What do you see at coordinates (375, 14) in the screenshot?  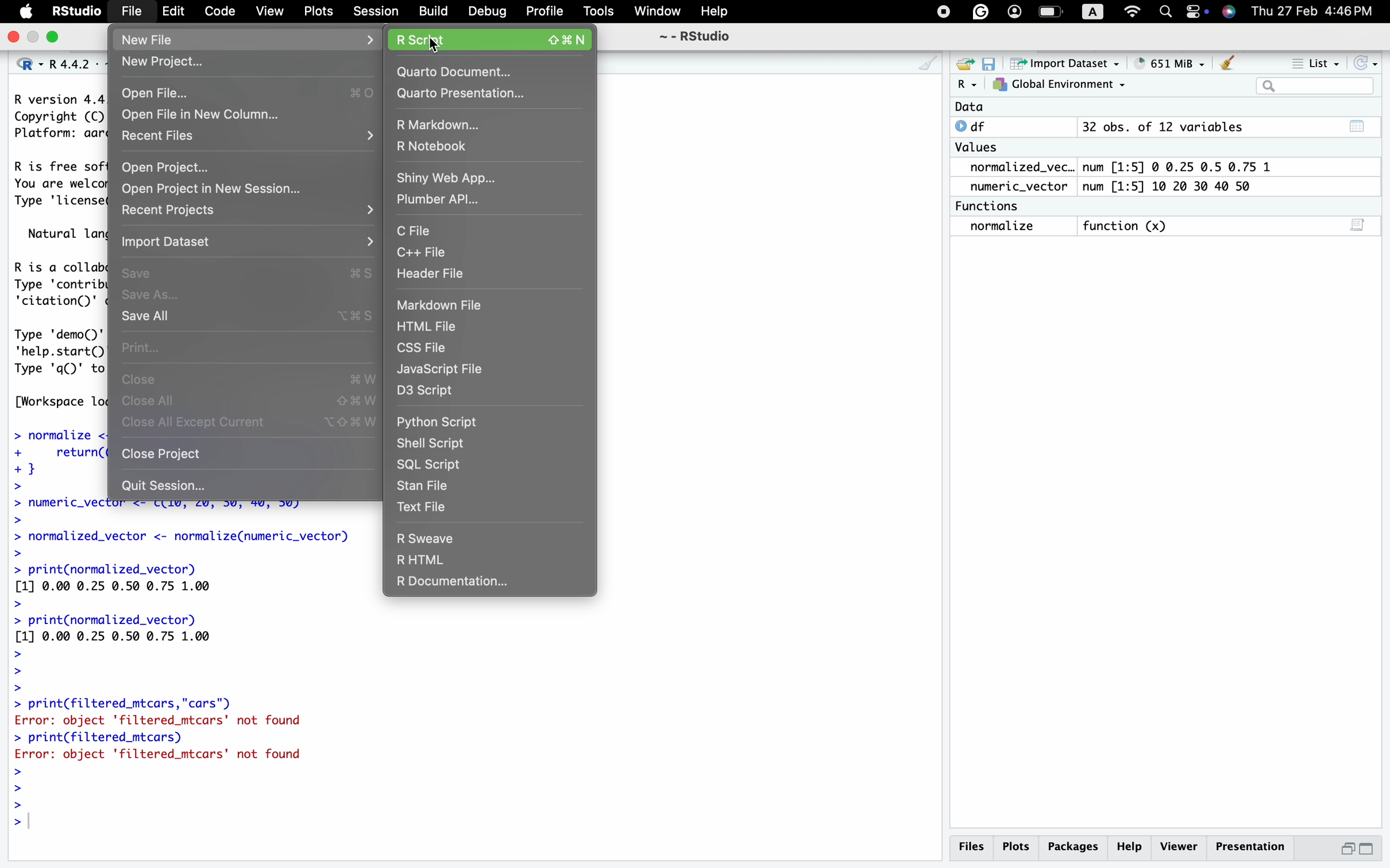 I see `Session` at bounding box center [375, 14].